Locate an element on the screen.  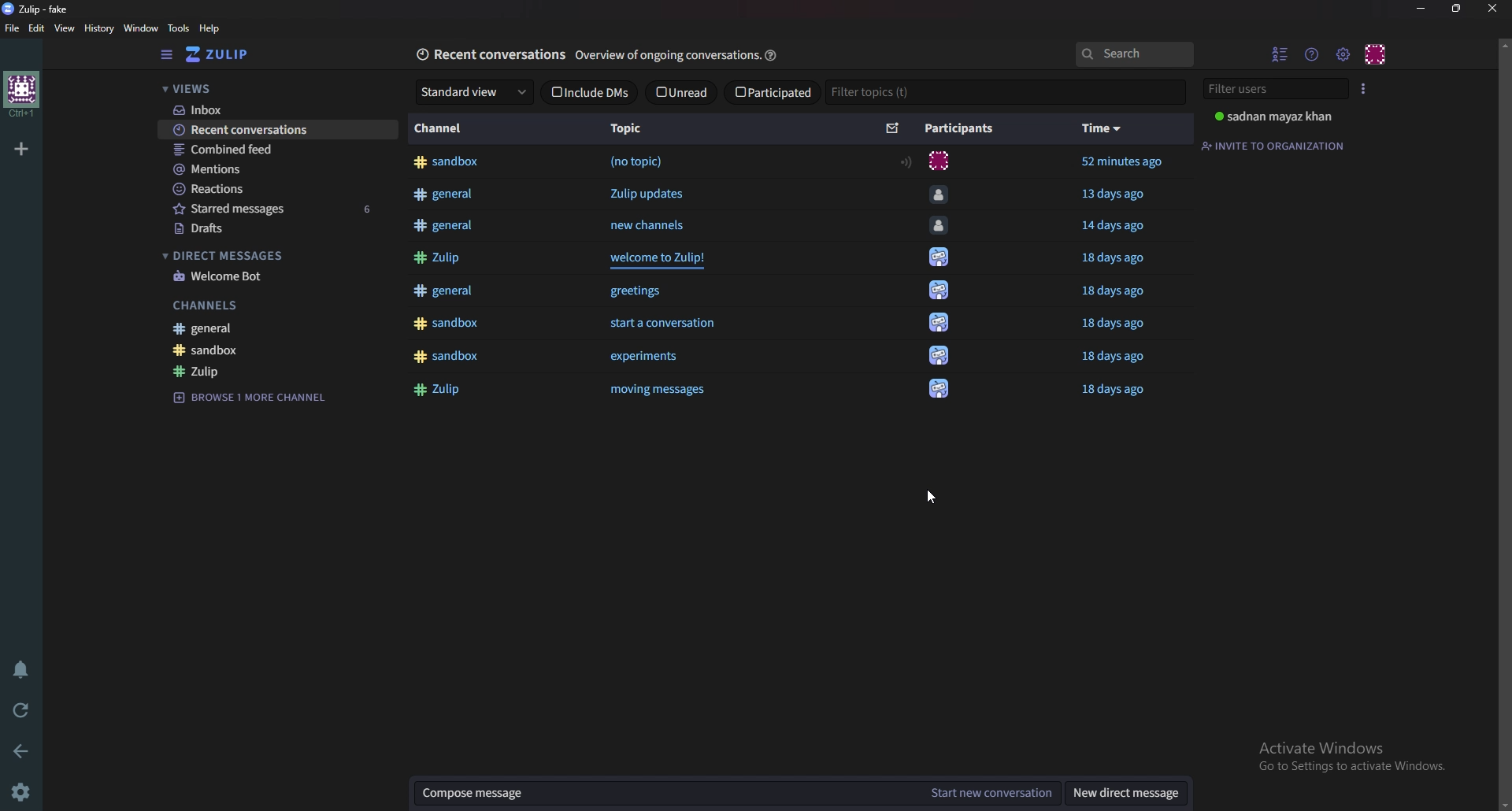
Range is located at coordinates (907, 162).